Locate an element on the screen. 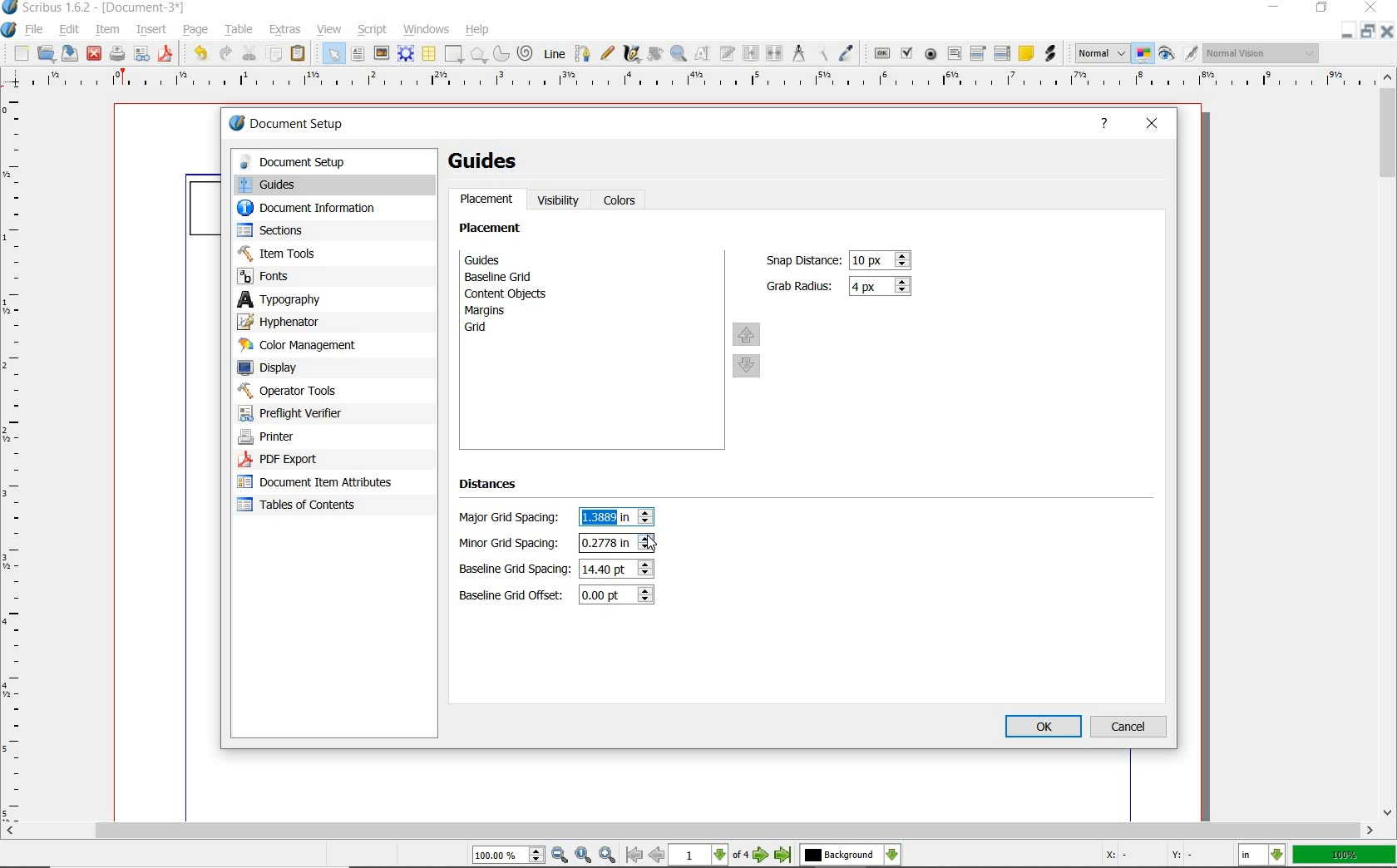 The width and height of the screenshot is (1397, 868). cut is located at coordinates (249, 53).